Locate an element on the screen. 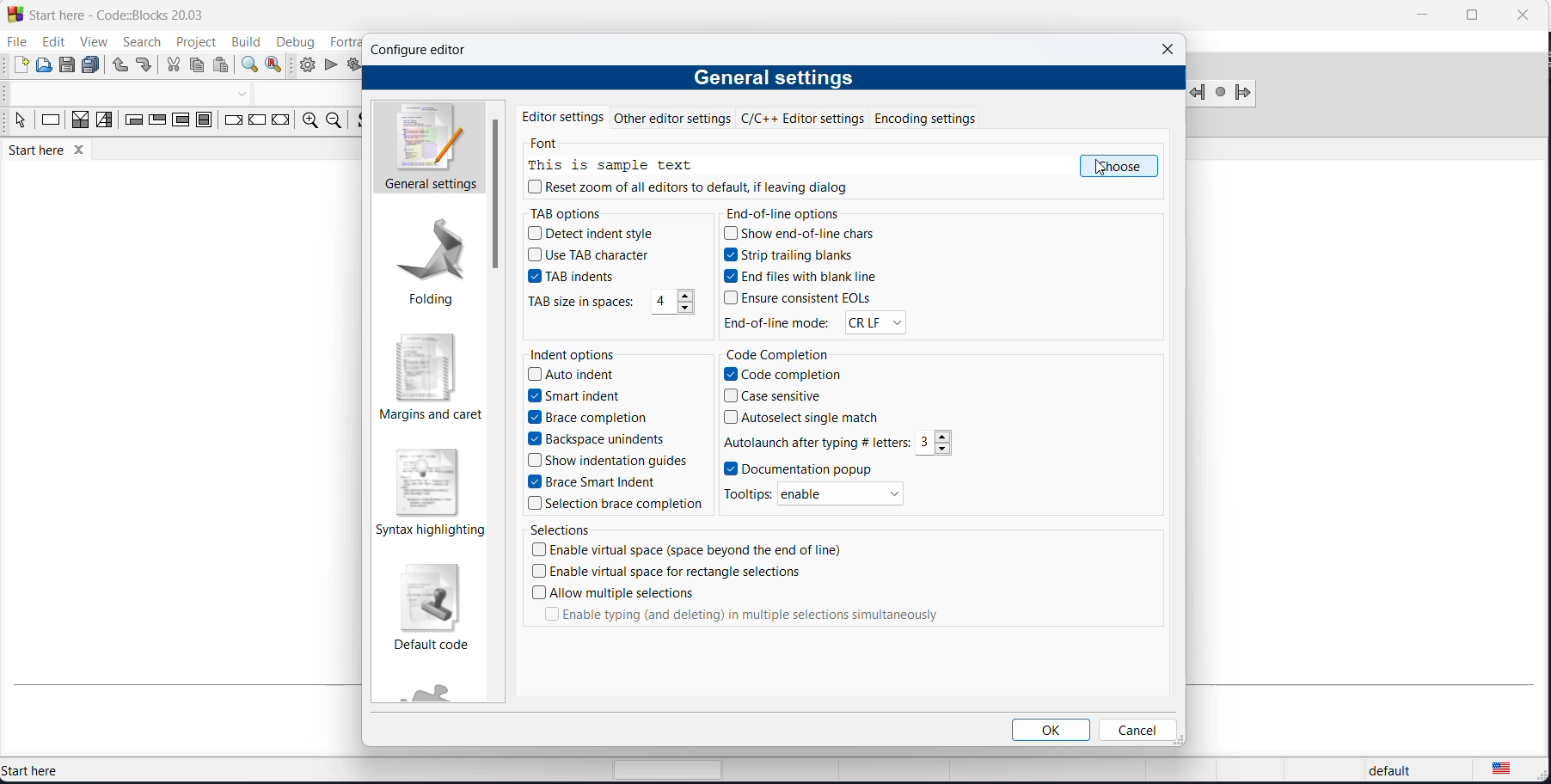 The image size is (1551, 784). reset zoom checkbox is located at coordinates (696, 192).